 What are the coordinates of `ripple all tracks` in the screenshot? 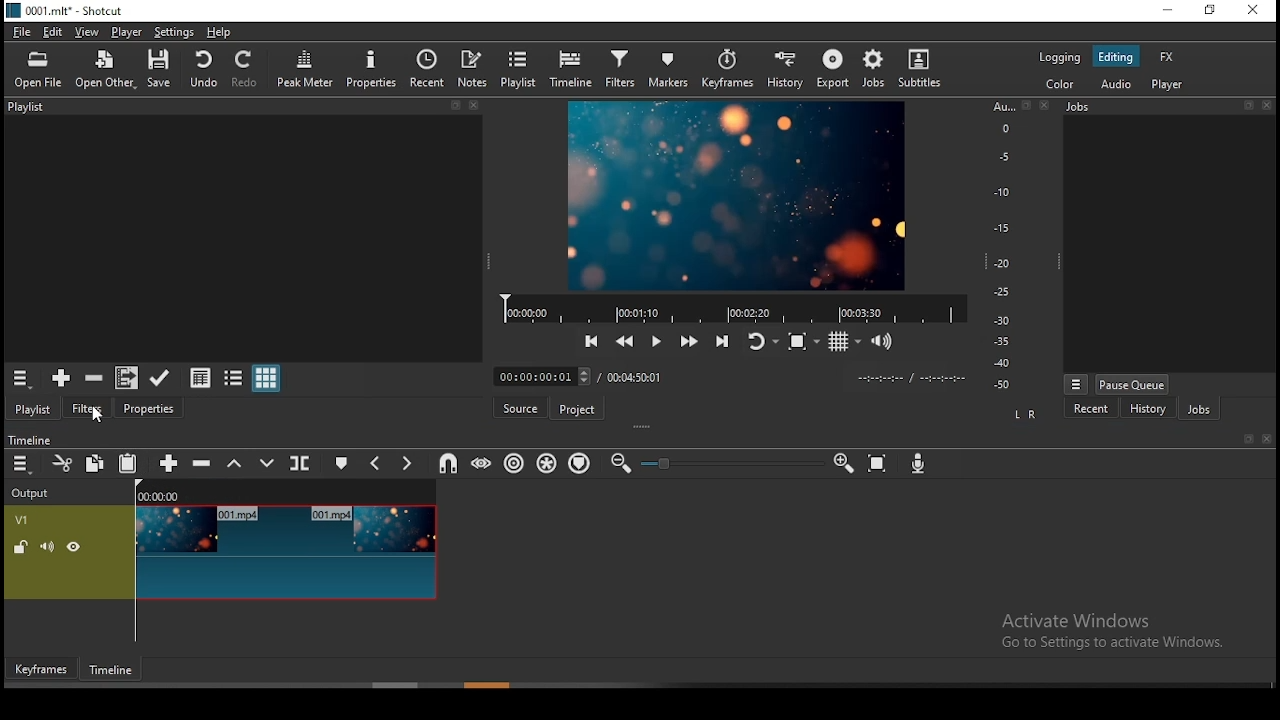 It's located at (549, 463).